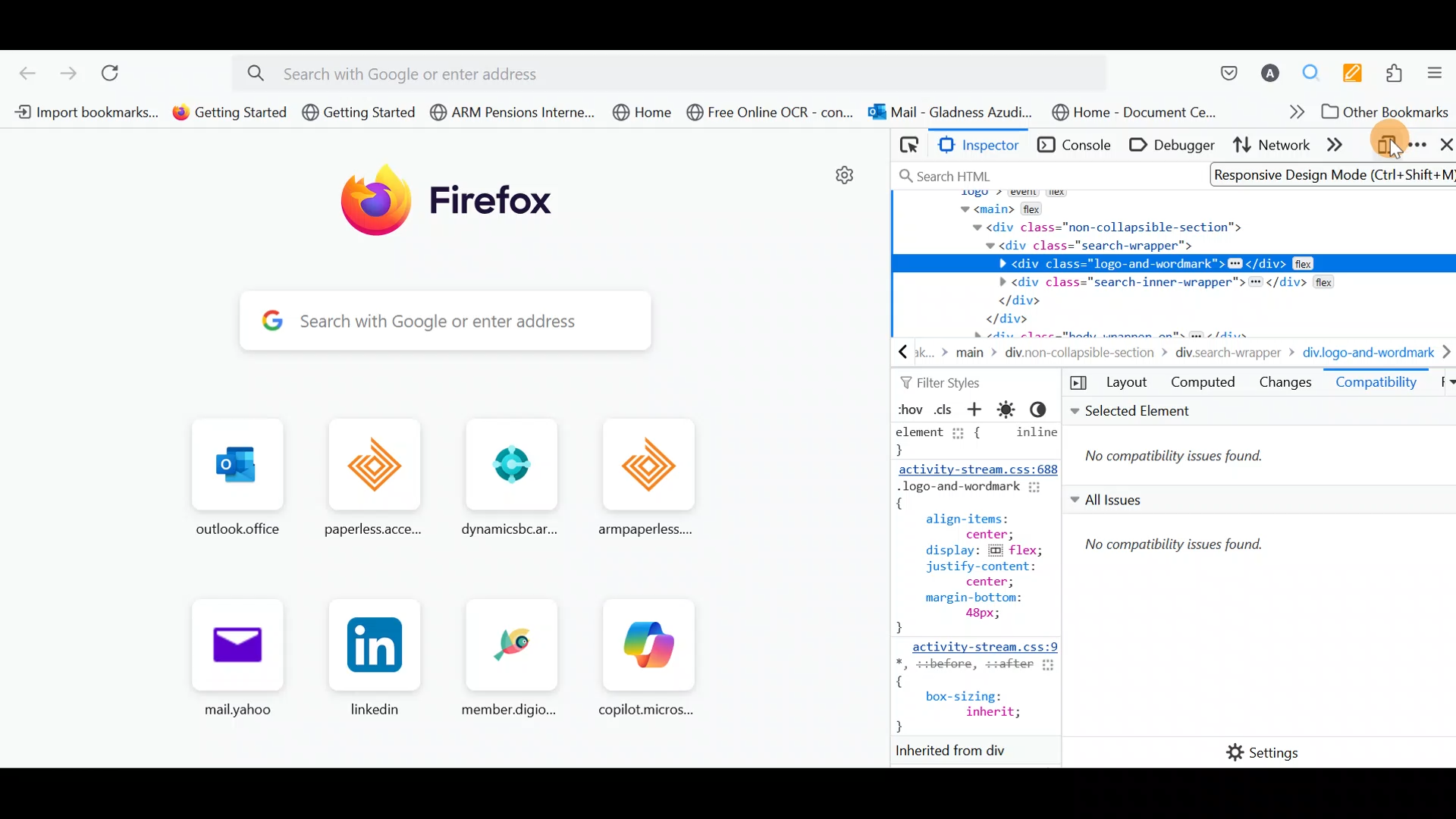 The height and width of the screenshot is (819, 1456). Describe the element at coordinates (952, 111) in the screenshot. I see `Bookmark 7` at that location.